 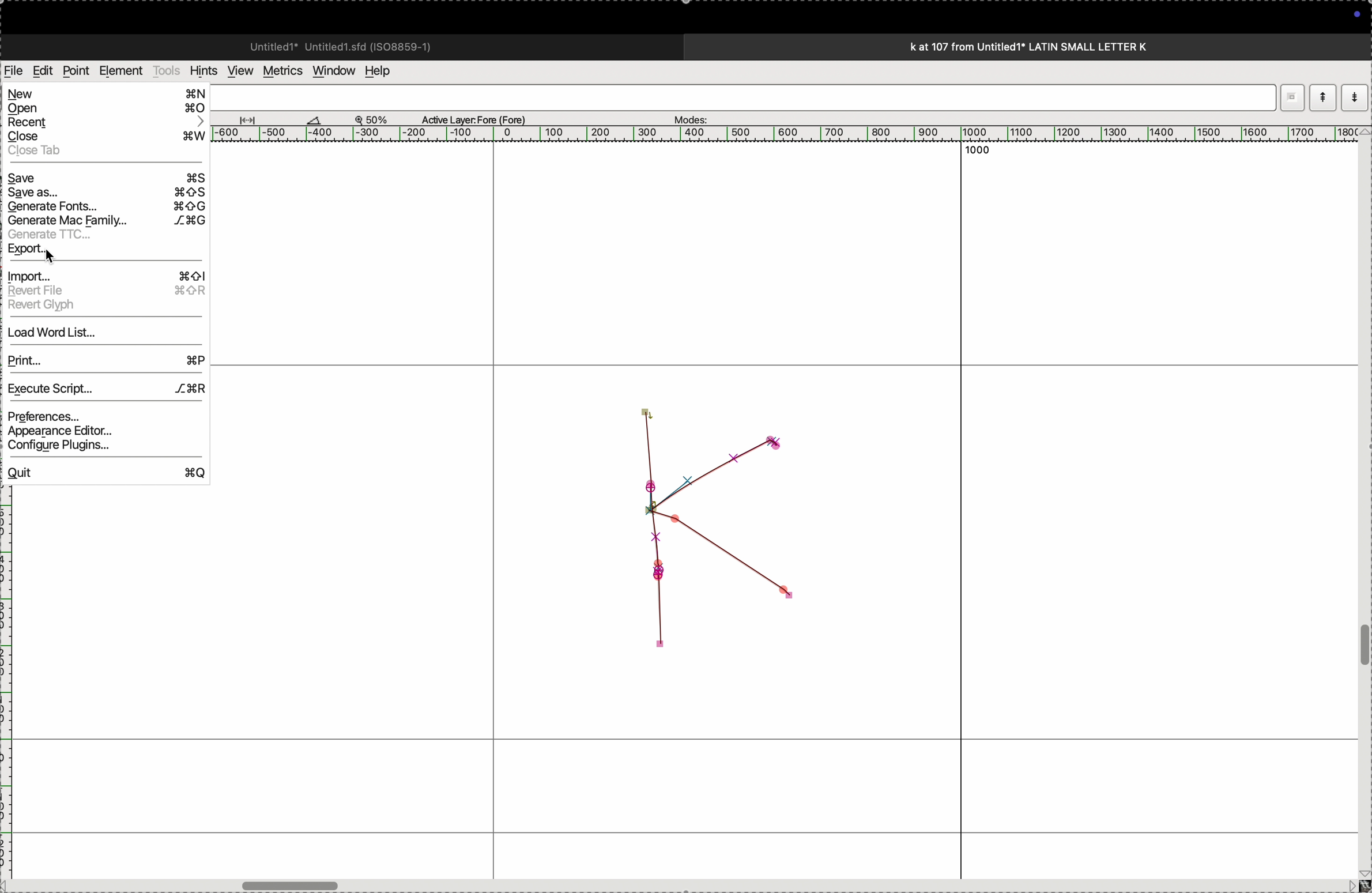 What do you see at coordinates (107, 178) in the screenshot?
I see `save` at bounding box center [107, 178].